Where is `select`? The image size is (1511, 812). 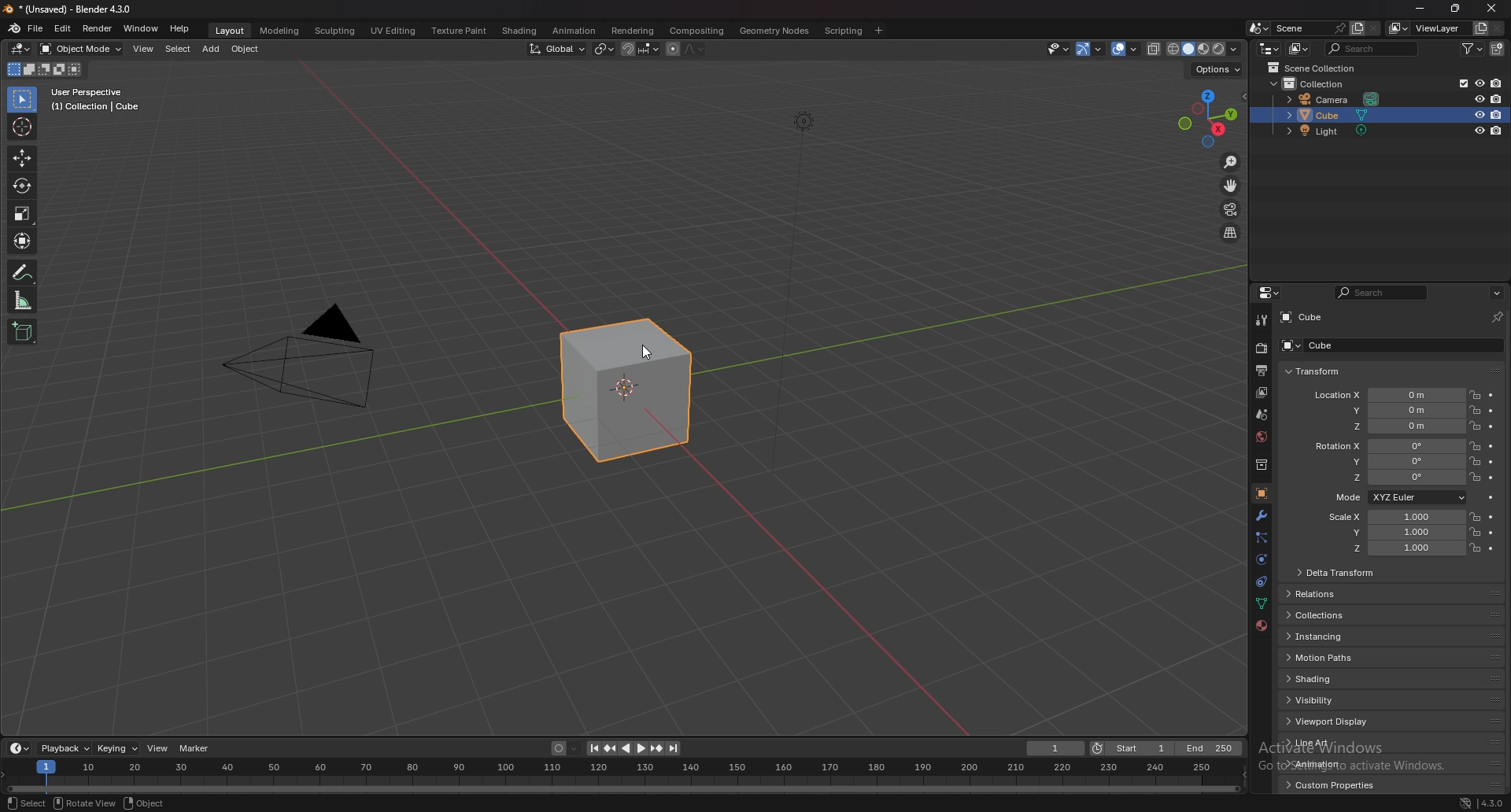
select is located at coordinates (179, 49).